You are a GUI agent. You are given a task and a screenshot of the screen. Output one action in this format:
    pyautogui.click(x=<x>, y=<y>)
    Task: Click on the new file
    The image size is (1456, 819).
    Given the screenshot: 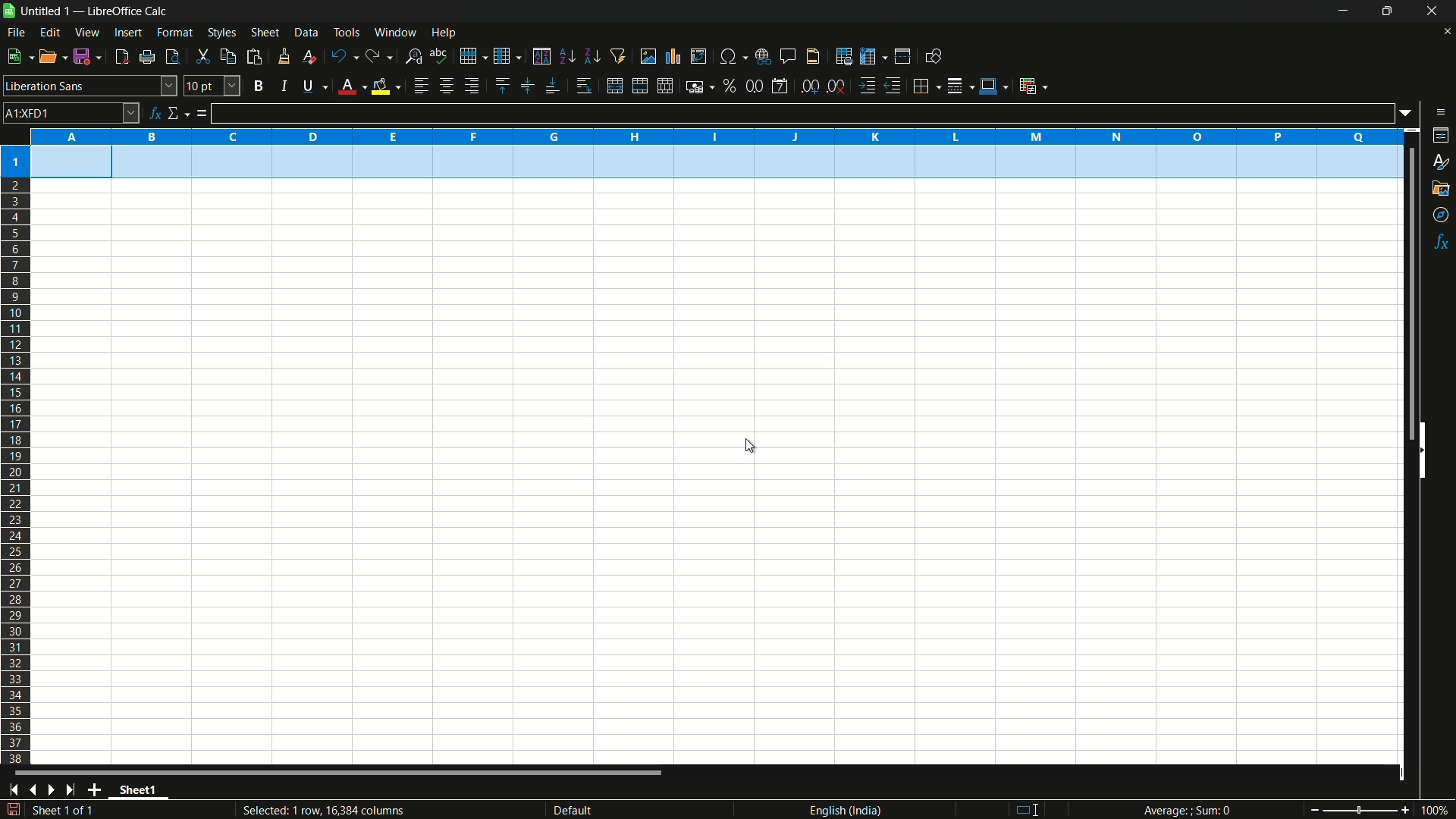 What is the action you would take?
    pyautogui.click(x=18, y=56)
    